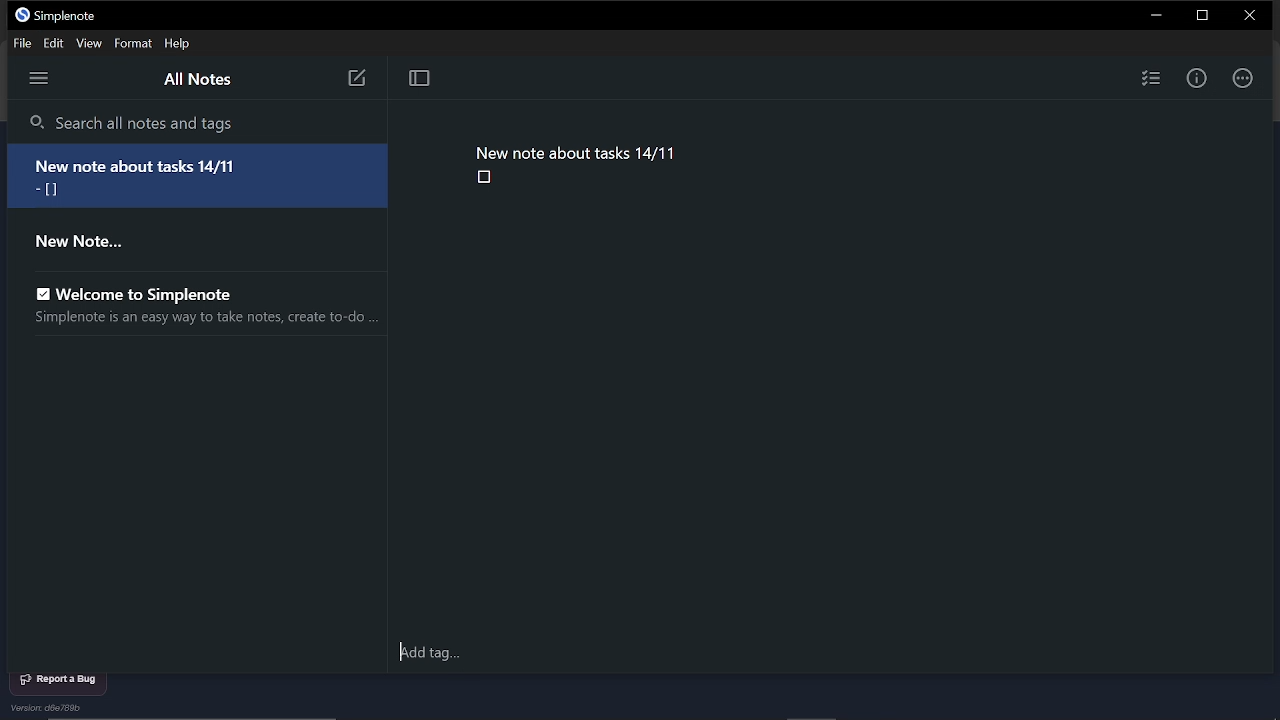  I want to click on File, so click(25, 43).